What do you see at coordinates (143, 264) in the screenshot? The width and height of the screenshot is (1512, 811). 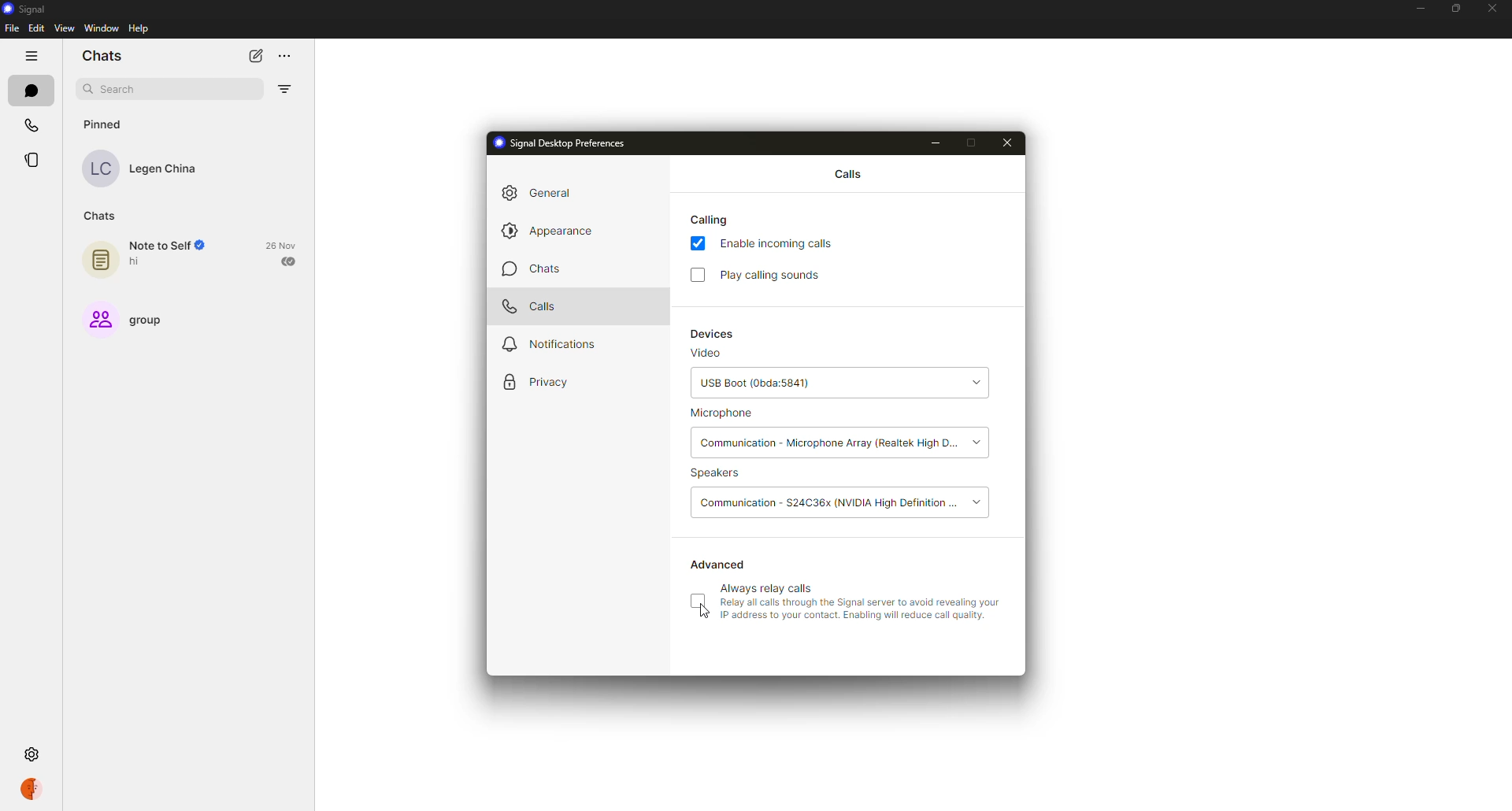 I see `hi` at bounding box center [143, 264].